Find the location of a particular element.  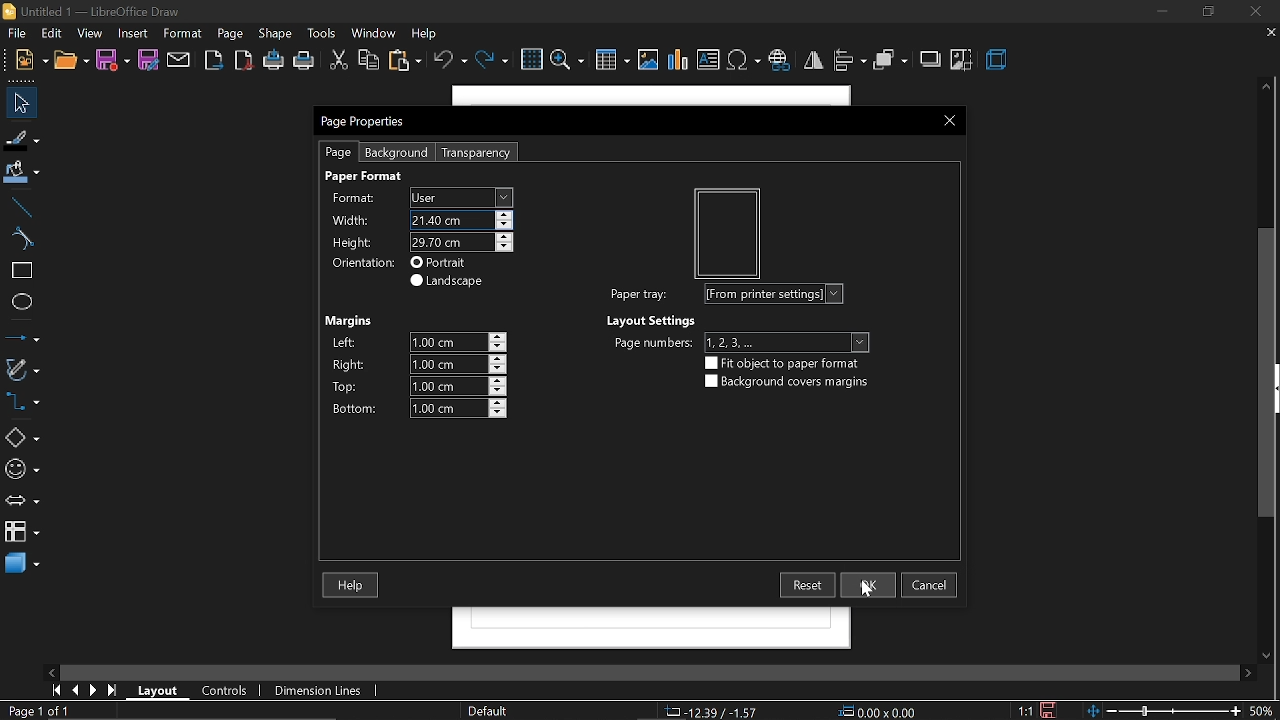

print is located at coordinates (304, 63).